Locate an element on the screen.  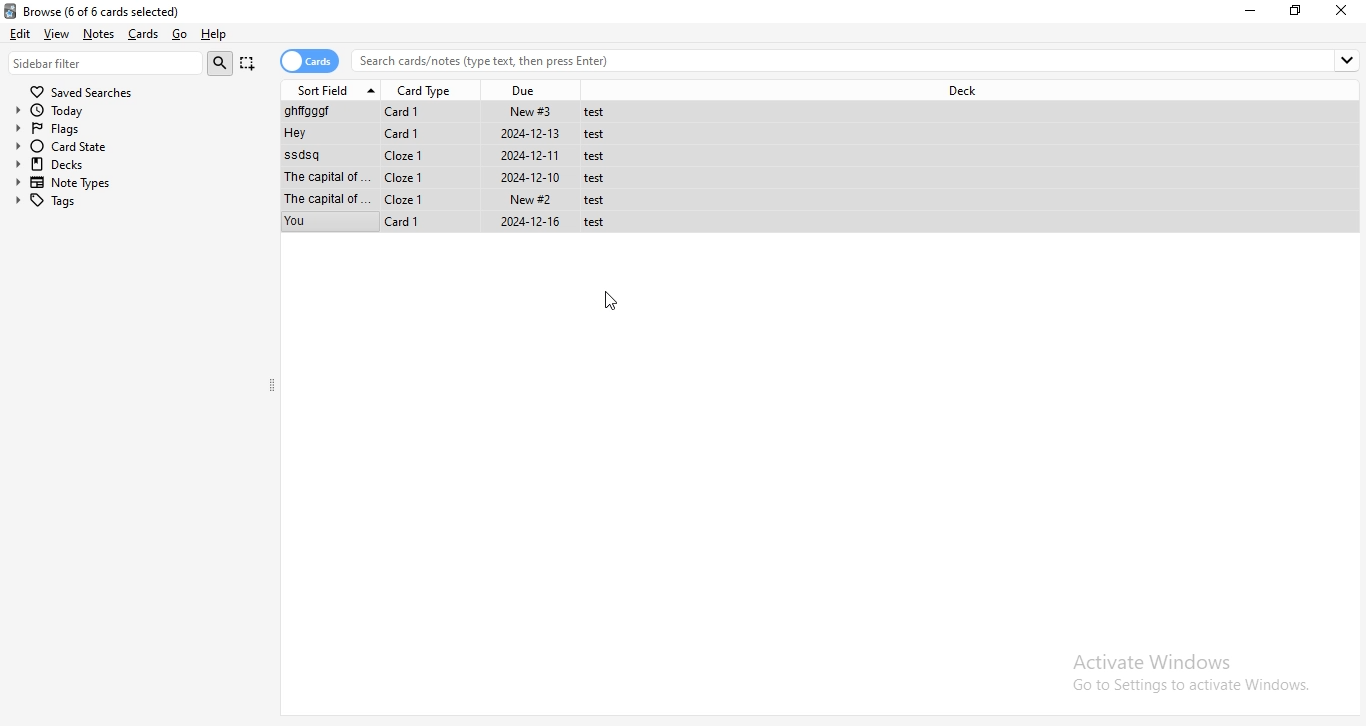
sidebar filter is located at coordinates (106, 63).